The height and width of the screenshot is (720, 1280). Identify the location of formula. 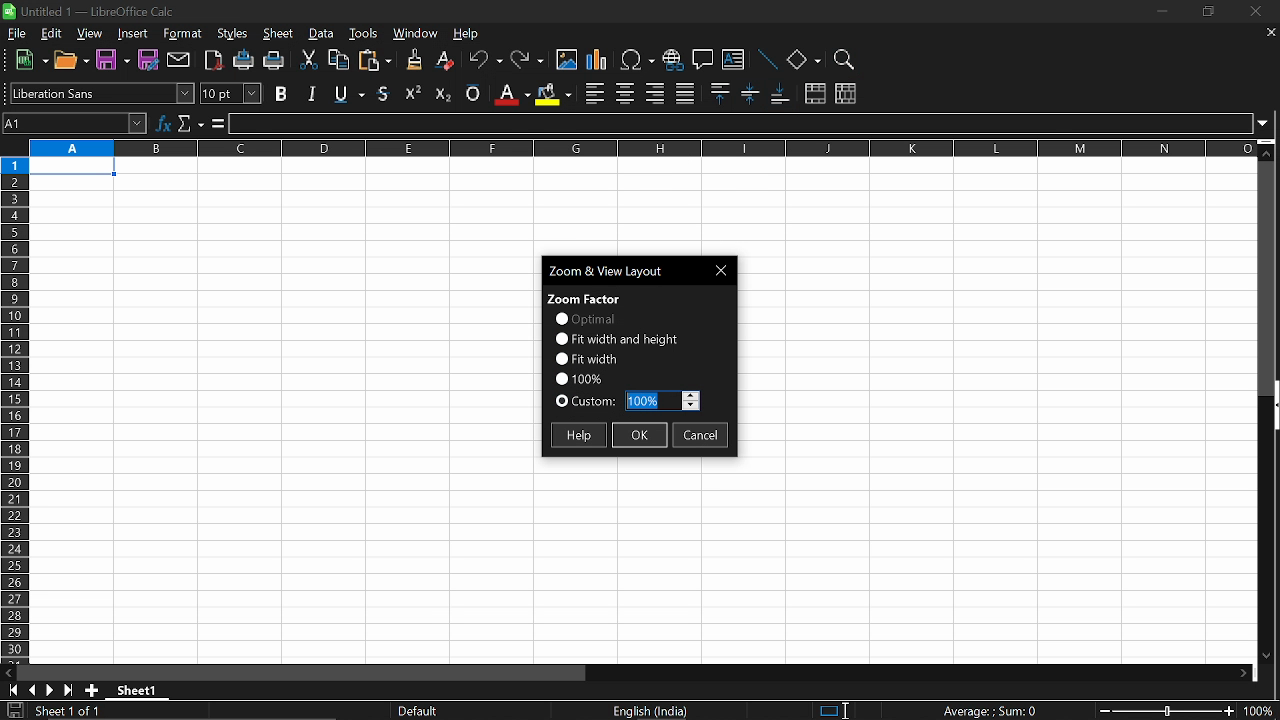
(216, 124).